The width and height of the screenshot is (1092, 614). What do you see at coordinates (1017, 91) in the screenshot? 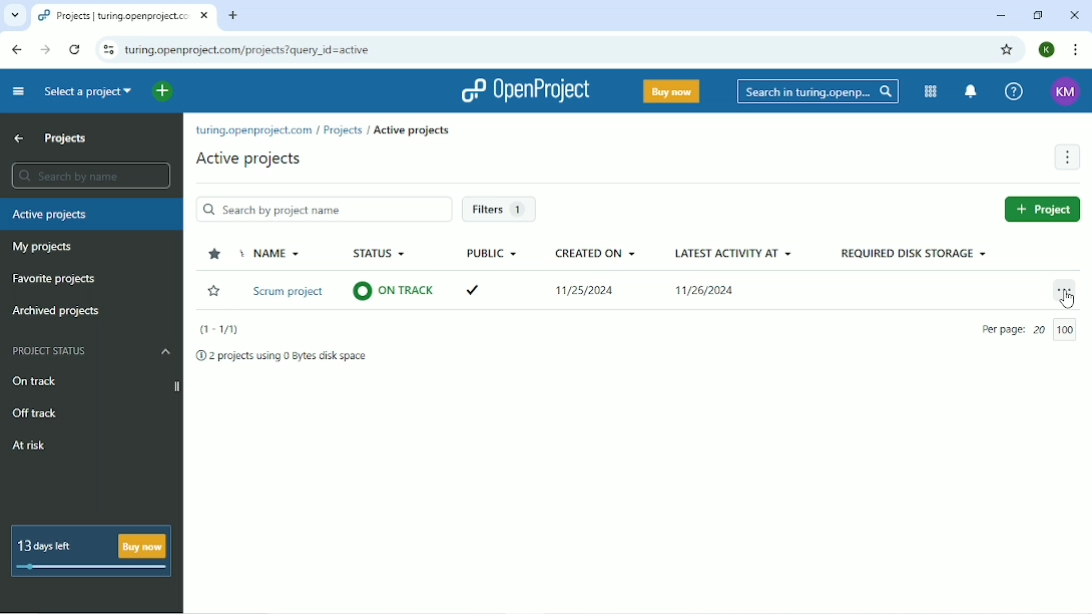
I see `Help` at bounding box center [1017, 91].